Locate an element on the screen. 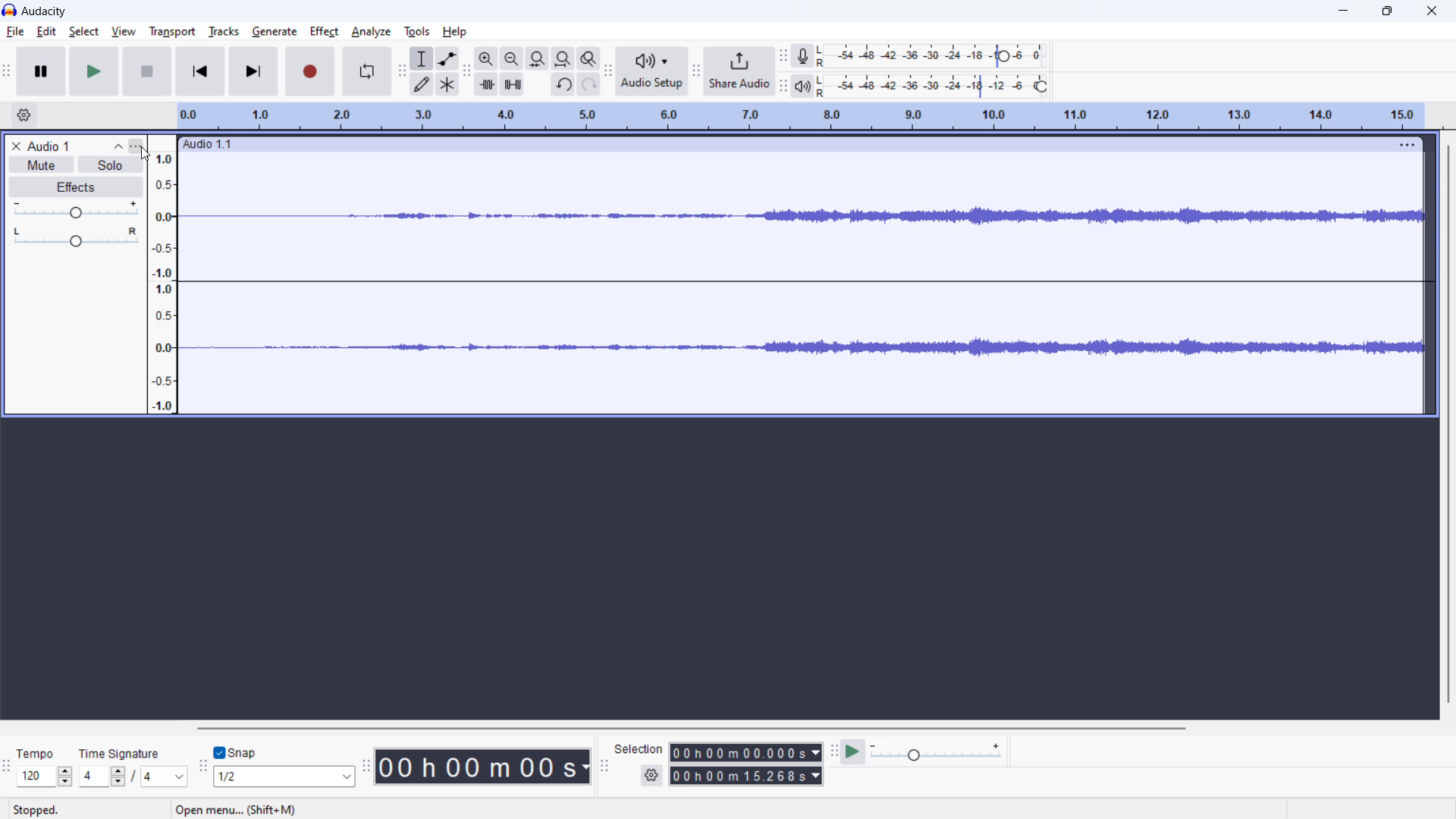 The image size is (1456, 819). amplitude is located at coordinates (162, 274).